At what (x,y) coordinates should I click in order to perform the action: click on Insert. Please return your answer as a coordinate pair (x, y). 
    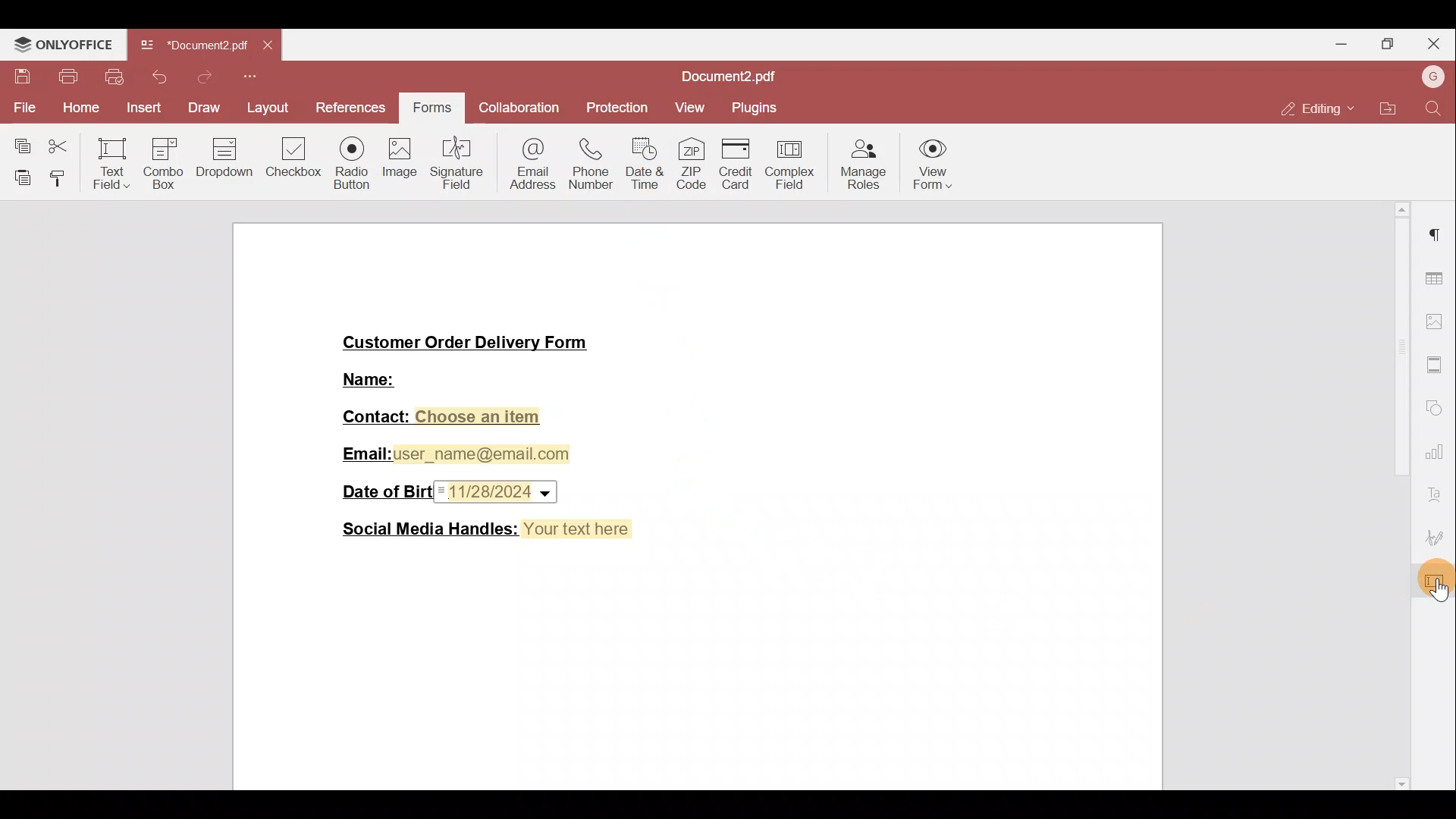
    Looking at the image, I should click on (143, 108).